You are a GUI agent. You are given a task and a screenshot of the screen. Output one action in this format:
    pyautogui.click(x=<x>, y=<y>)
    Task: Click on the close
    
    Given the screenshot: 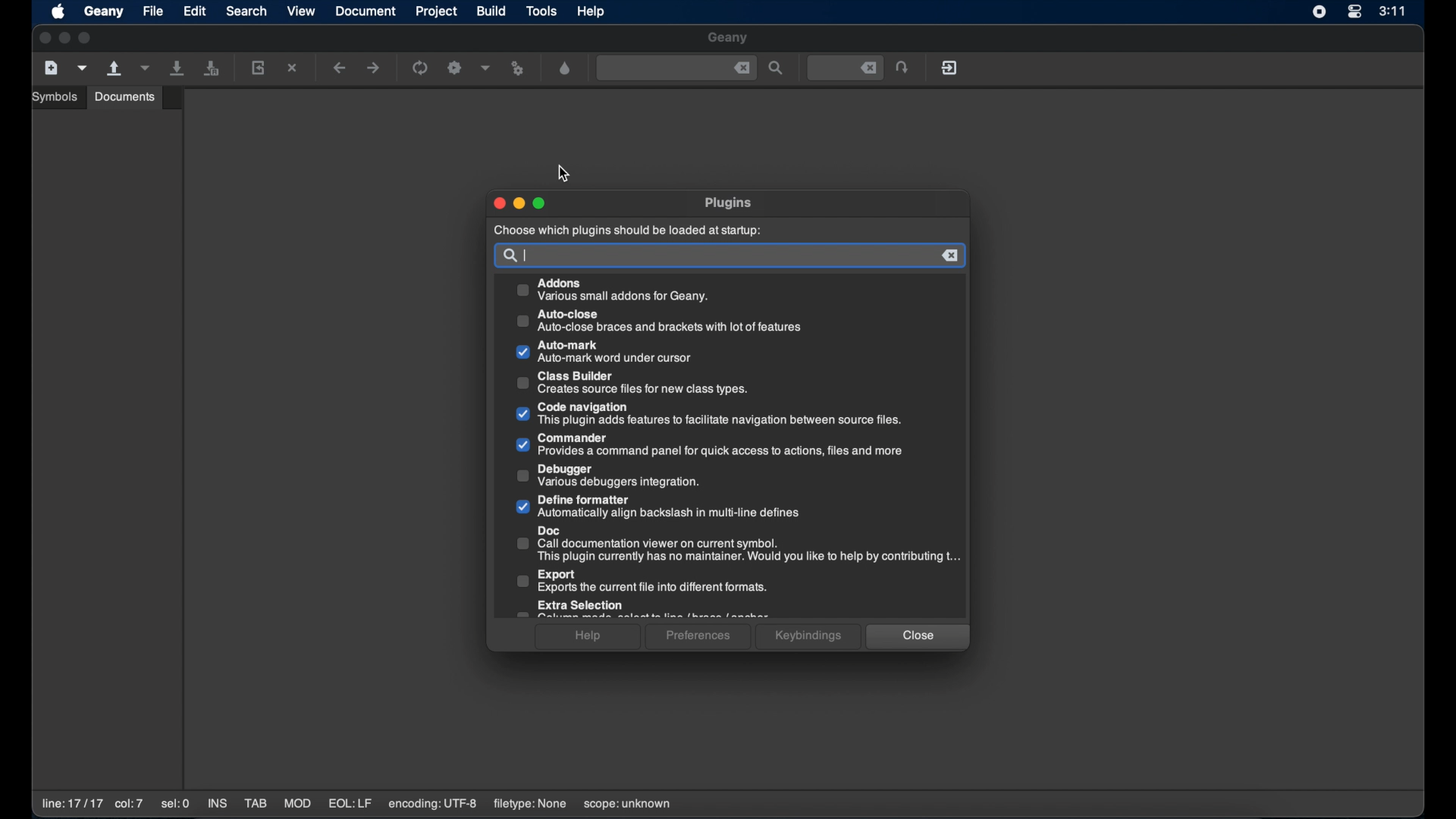 What is the action you would take?
    pyautogui.click(x=742, y=68)
    